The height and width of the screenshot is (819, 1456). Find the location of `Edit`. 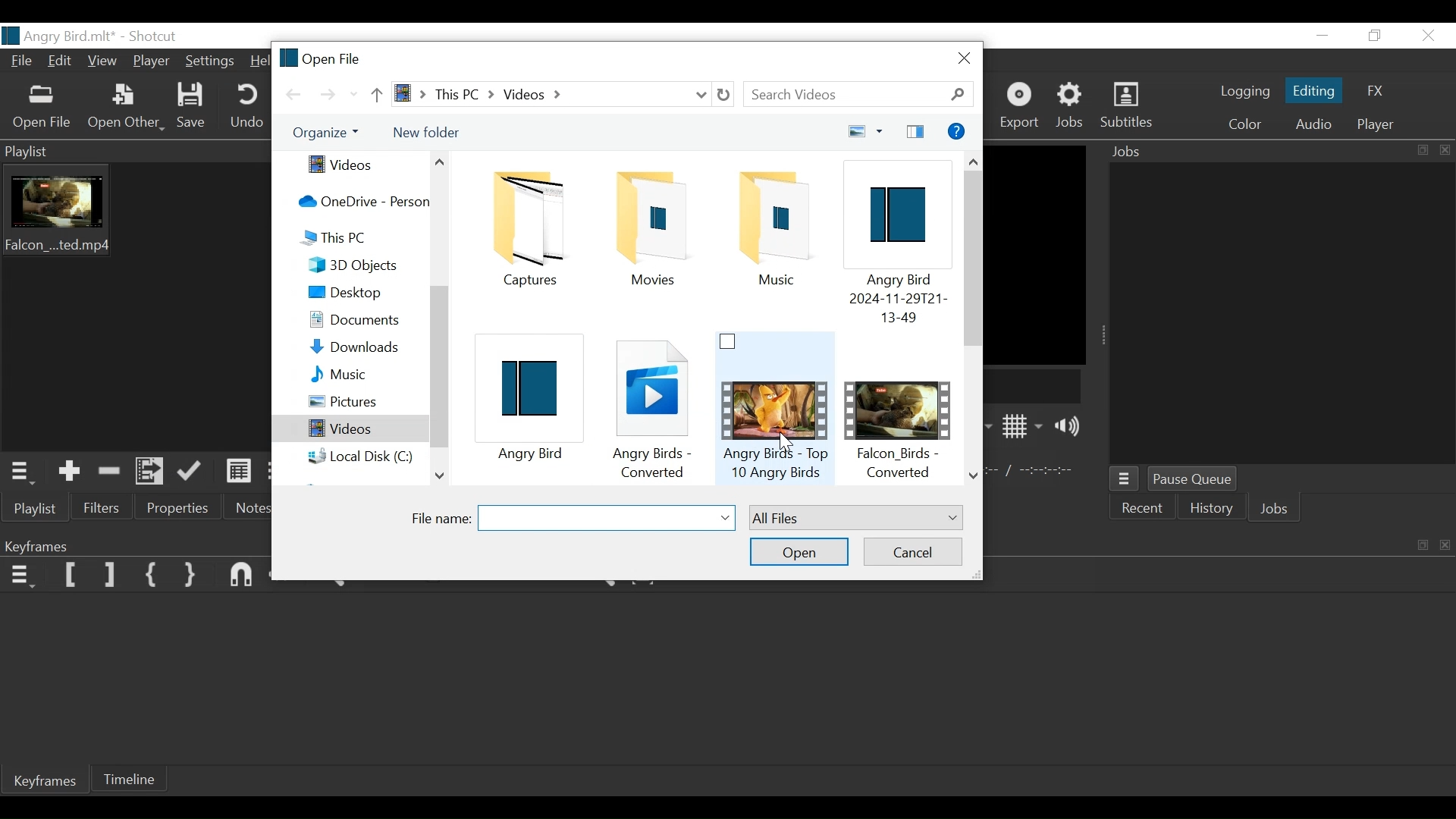

Edit is located at coordinates (62, 61).